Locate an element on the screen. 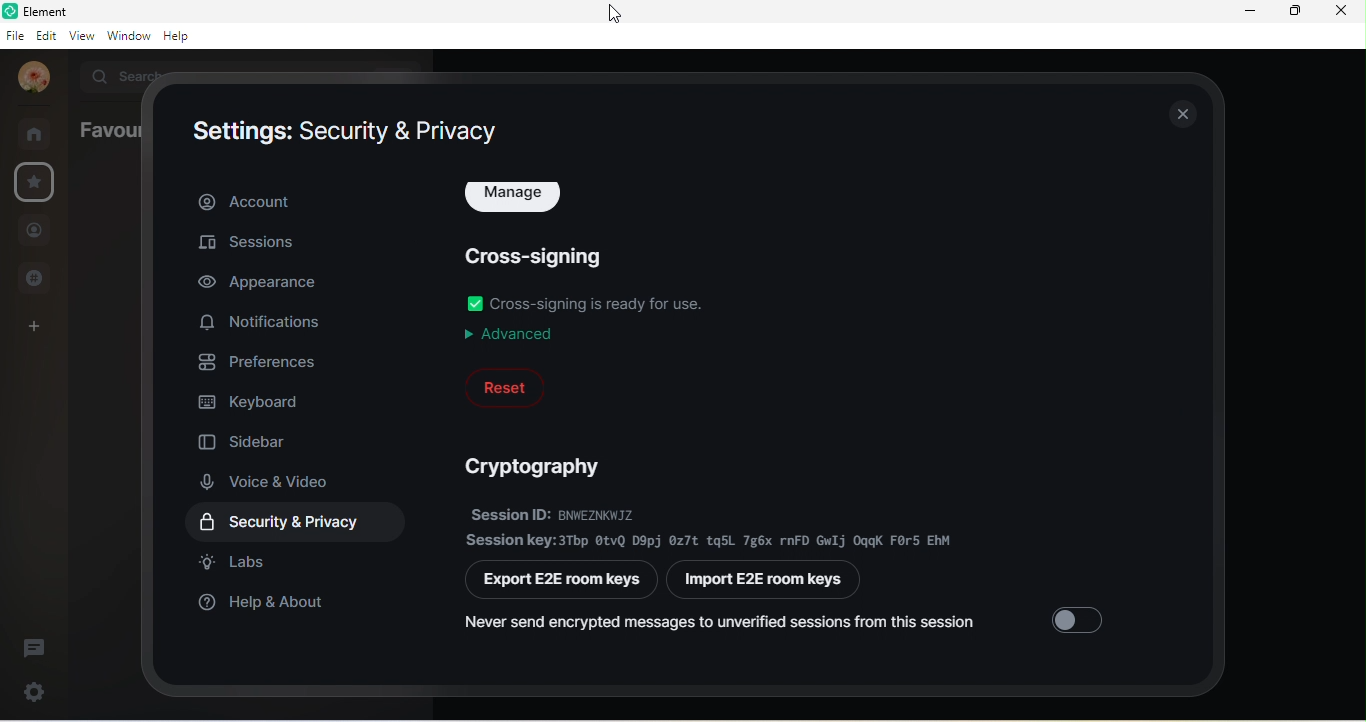 This screenshot has height=722, width=1366. close is located at coordinates (1341, 13).